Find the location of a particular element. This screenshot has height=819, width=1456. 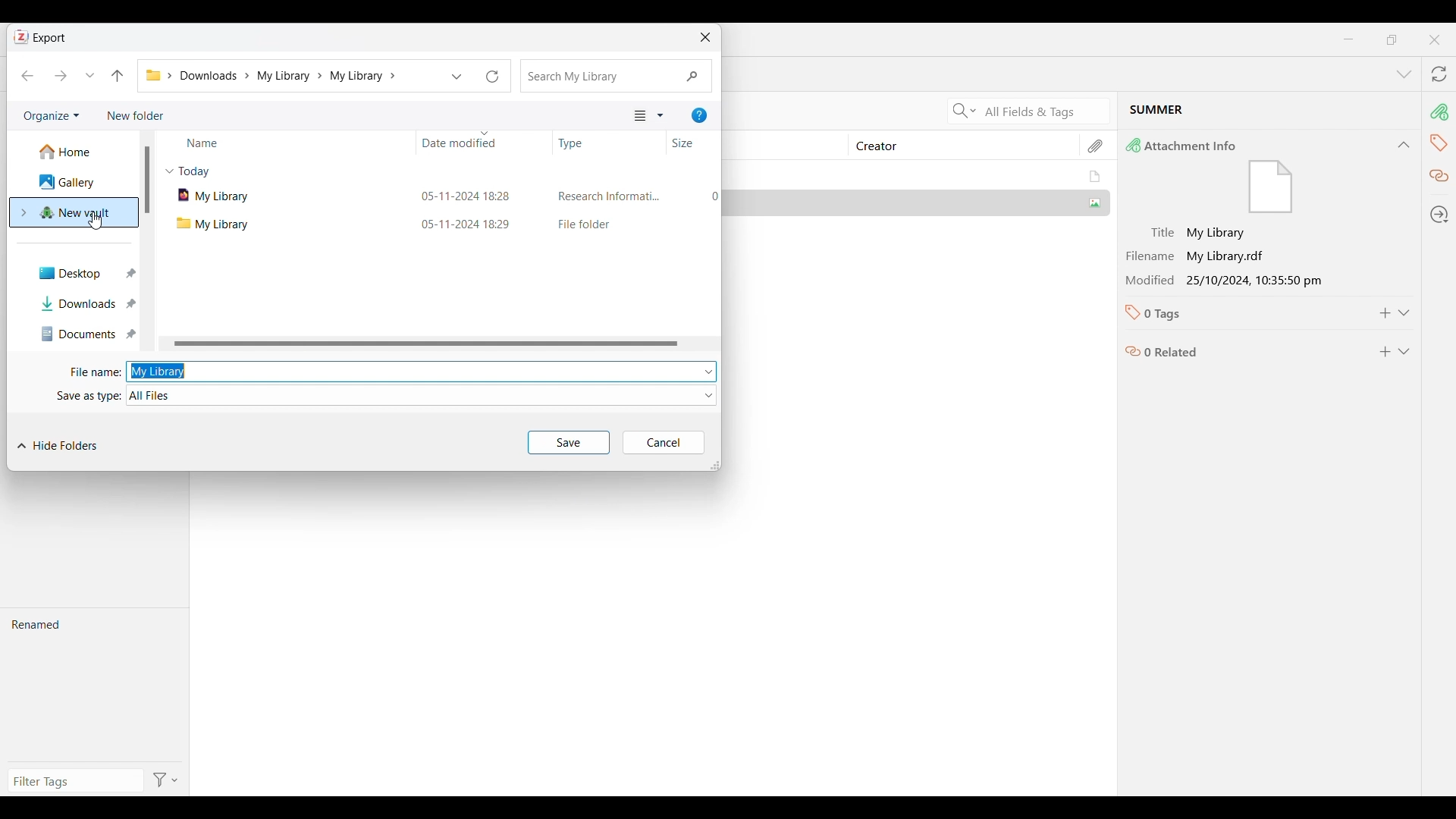

Filename : My library.rdf is located at coordinates (1241, 256).